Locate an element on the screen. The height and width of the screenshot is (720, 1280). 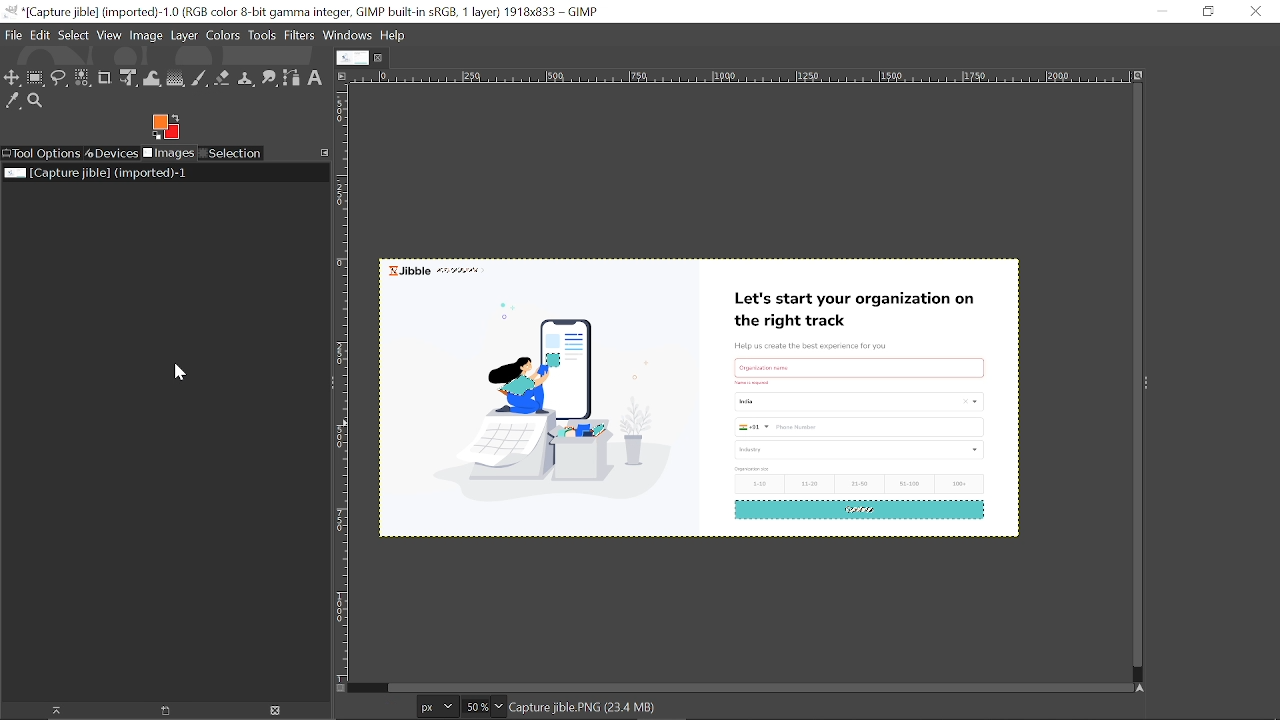
Select is located at coordinates (73, 35).